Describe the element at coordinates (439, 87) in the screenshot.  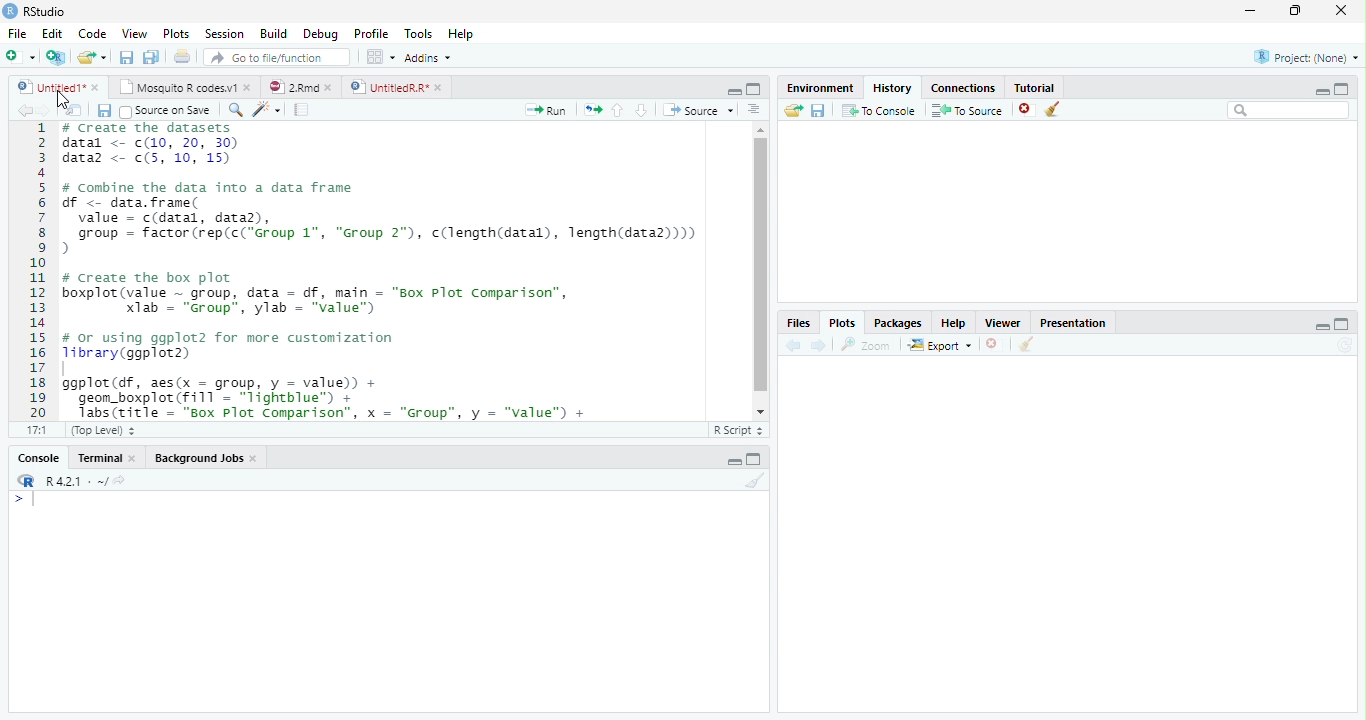
I see `close` at that location.